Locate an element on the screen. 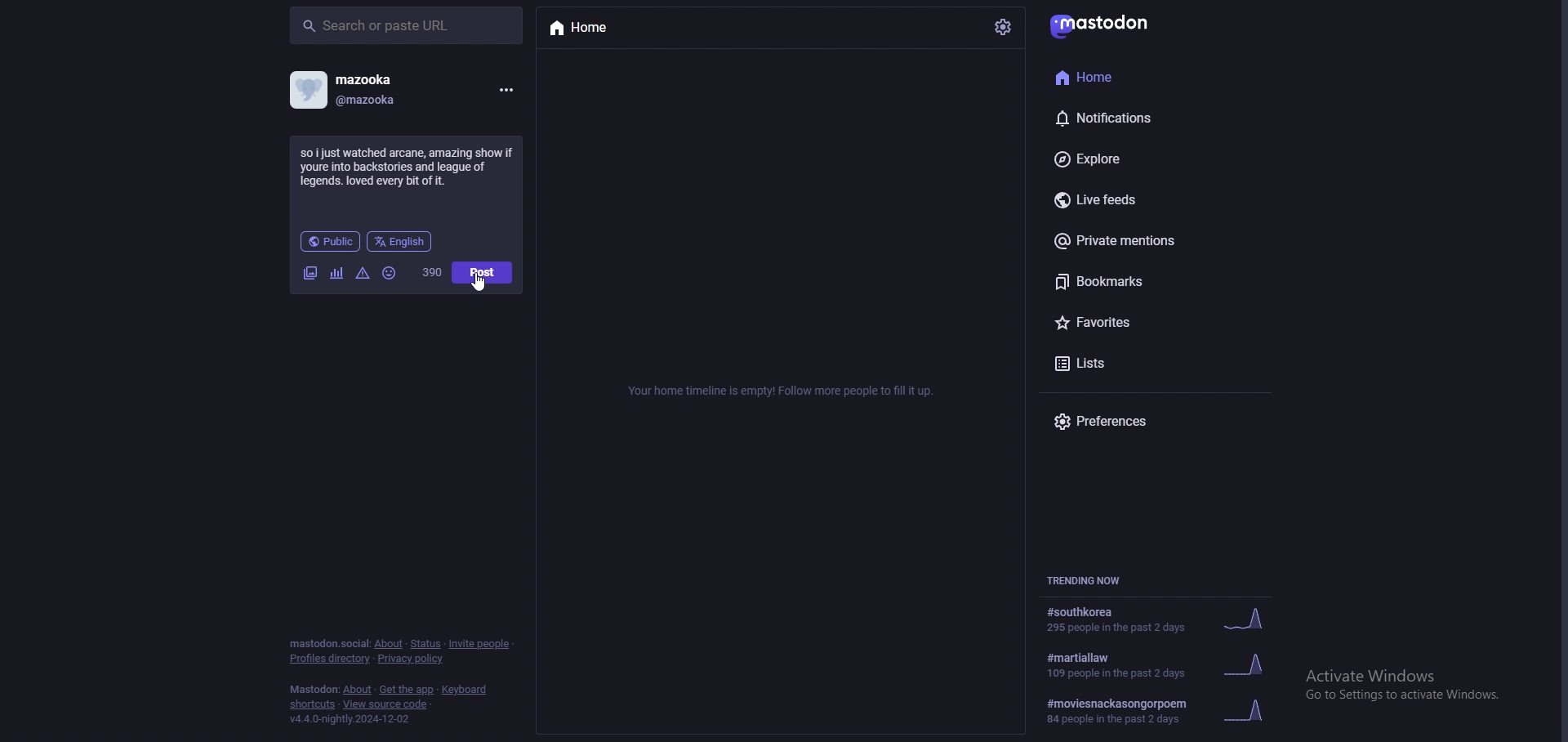  post is located at coordinates (481, 273).